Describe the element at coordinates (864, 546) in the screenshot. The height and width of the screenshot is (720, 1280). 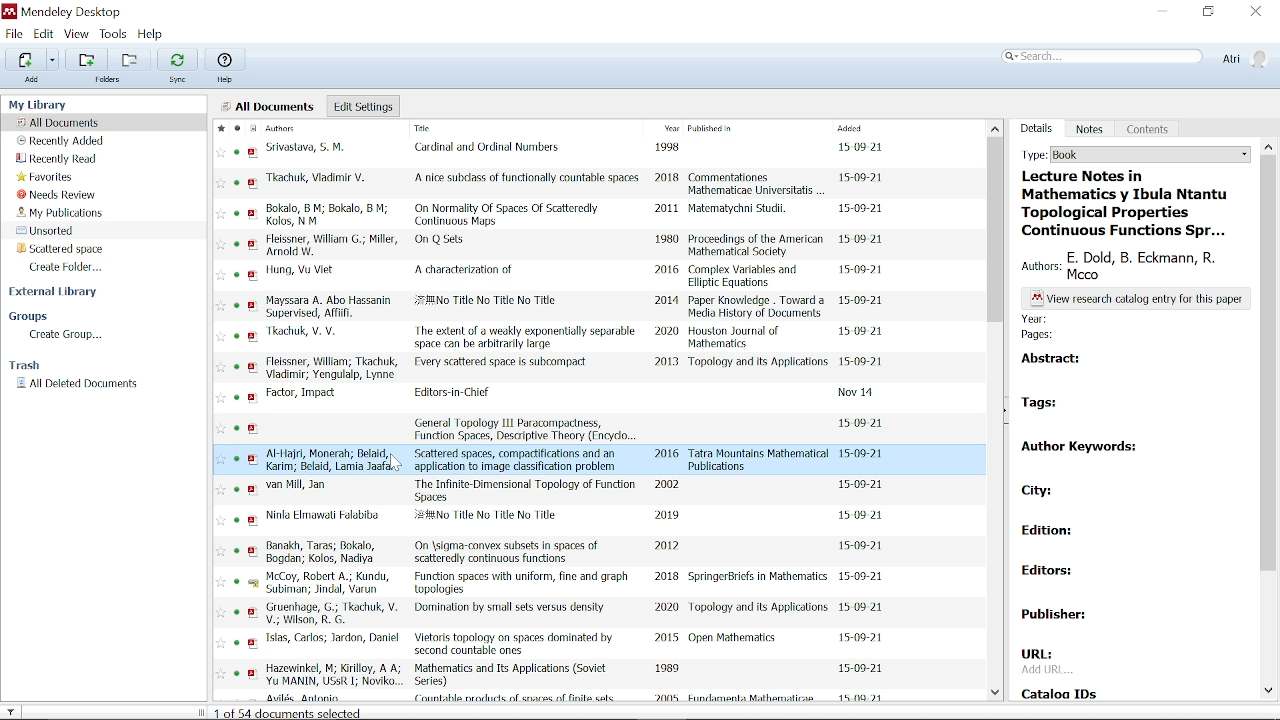
I see `date` at that location.